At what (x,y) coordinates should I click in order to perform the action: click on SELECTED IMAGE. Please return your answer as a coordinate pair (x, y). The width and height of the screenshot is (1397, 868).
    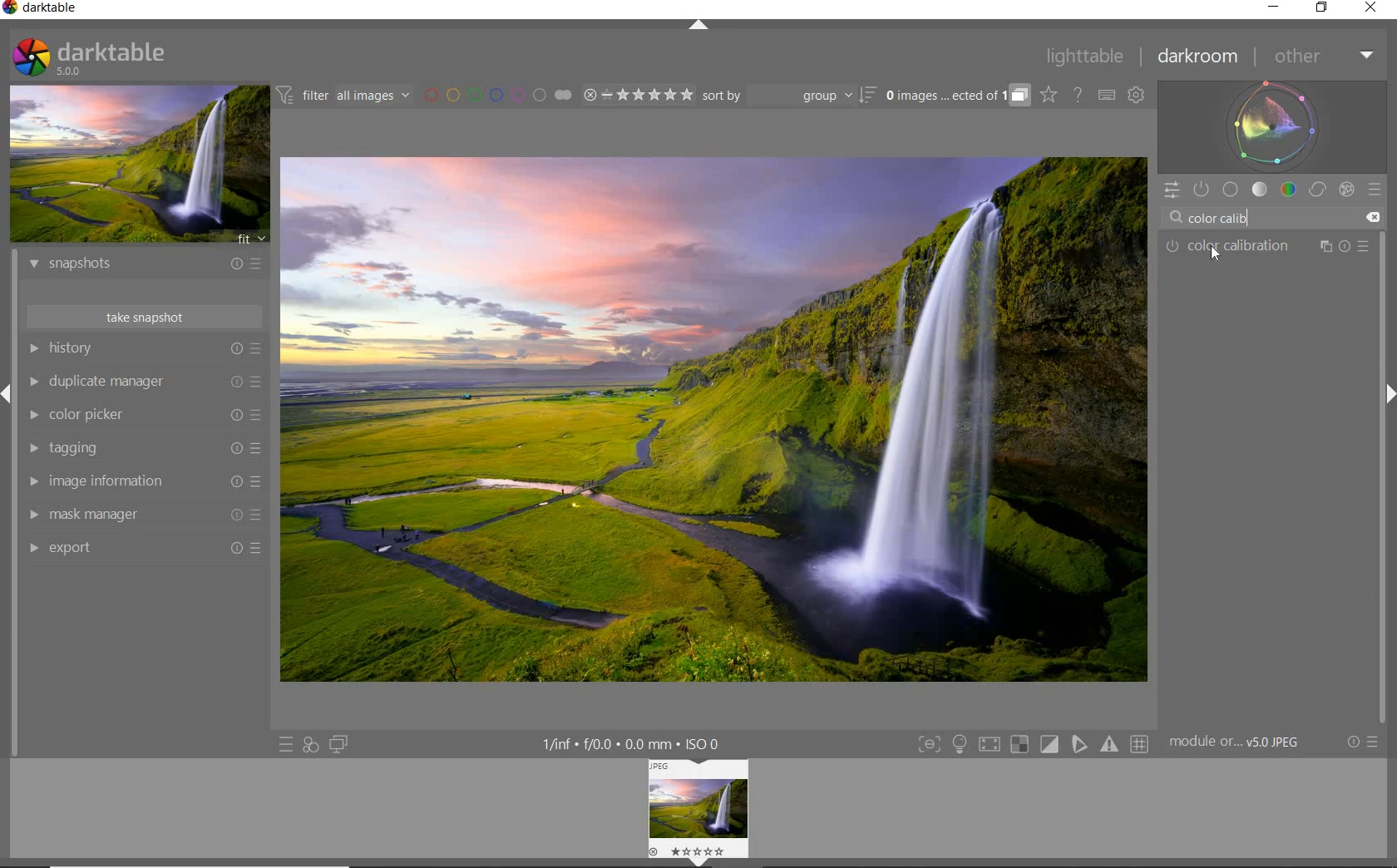
    Looking at the image, I should click on (715, 417).